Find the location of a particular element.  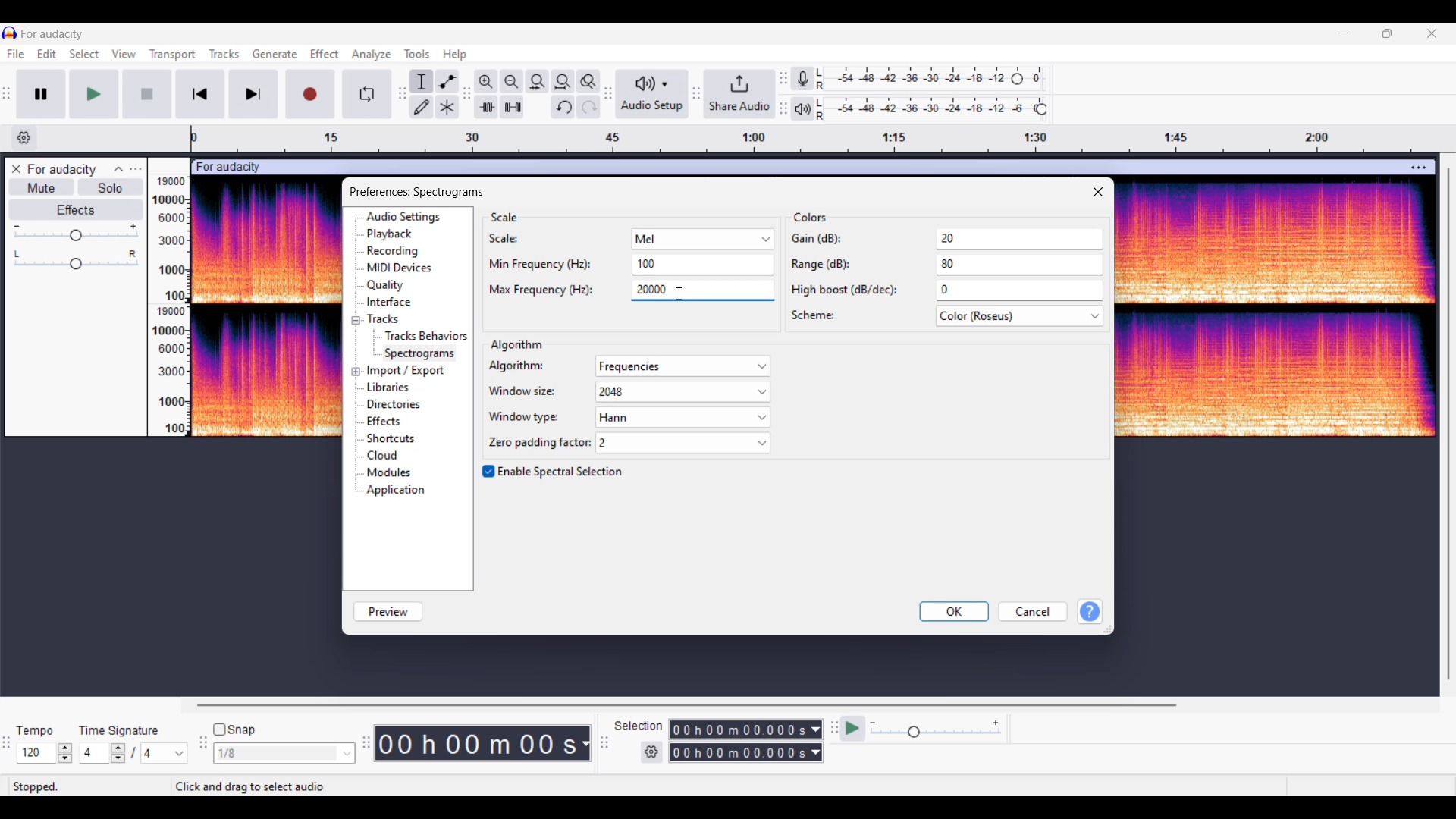

Transport menu is located at coordinates (173, 55).